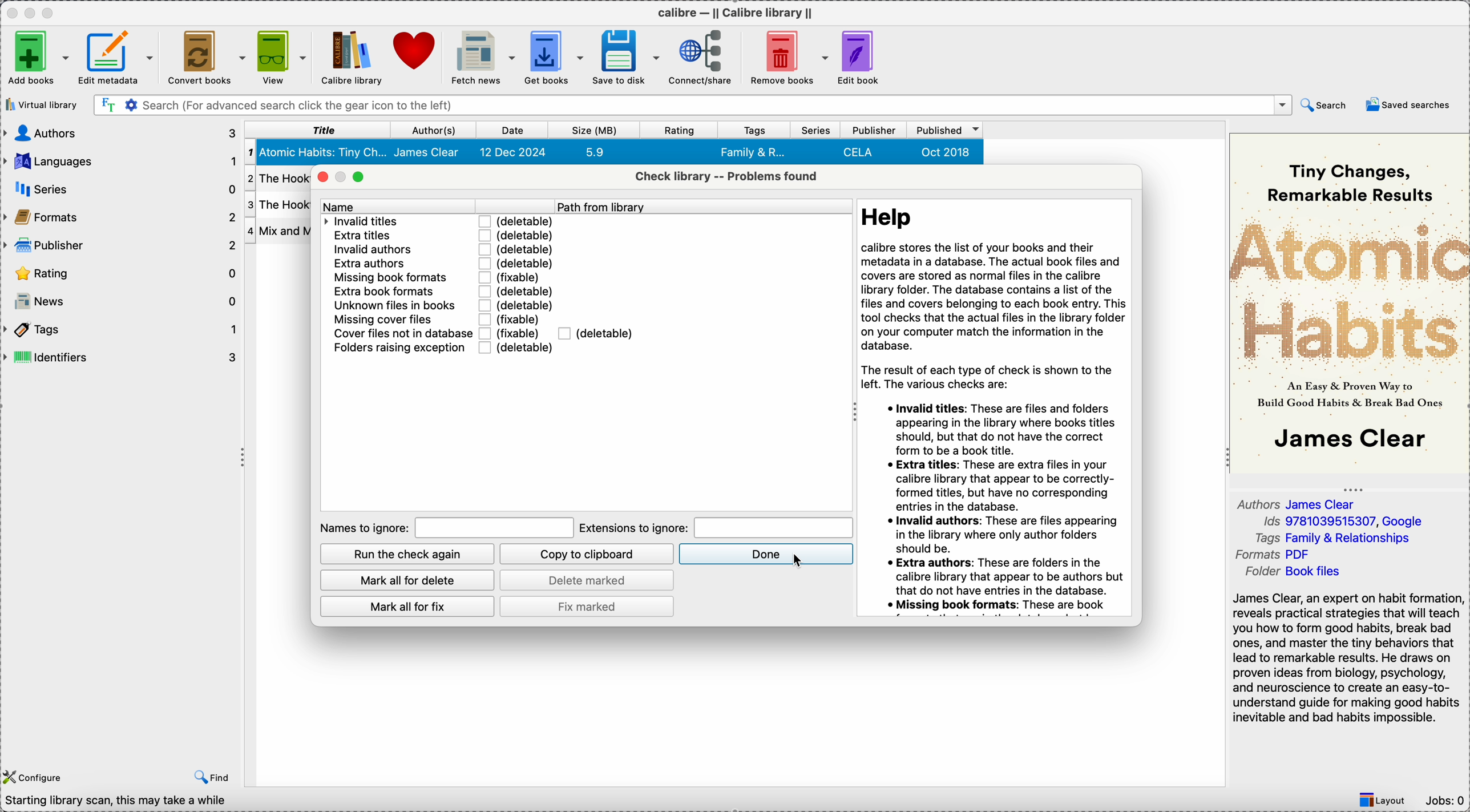 This screenshot has width=1470, height=812. Describe the element at coordinates (276, 207) in the screenshot. I see `third book` at that location.